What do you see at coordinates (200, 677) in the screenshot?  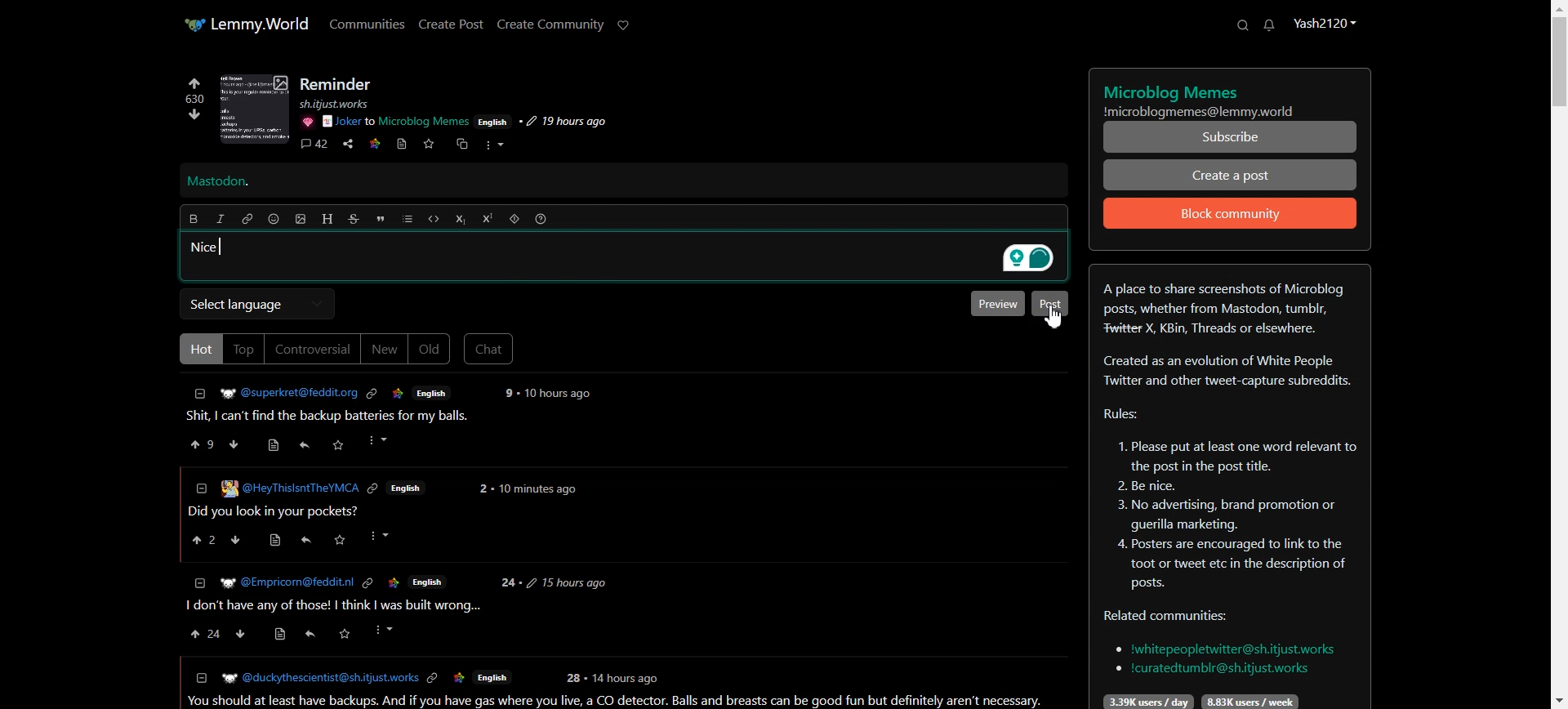 I see `[=]` at bounding box center [200, 677].